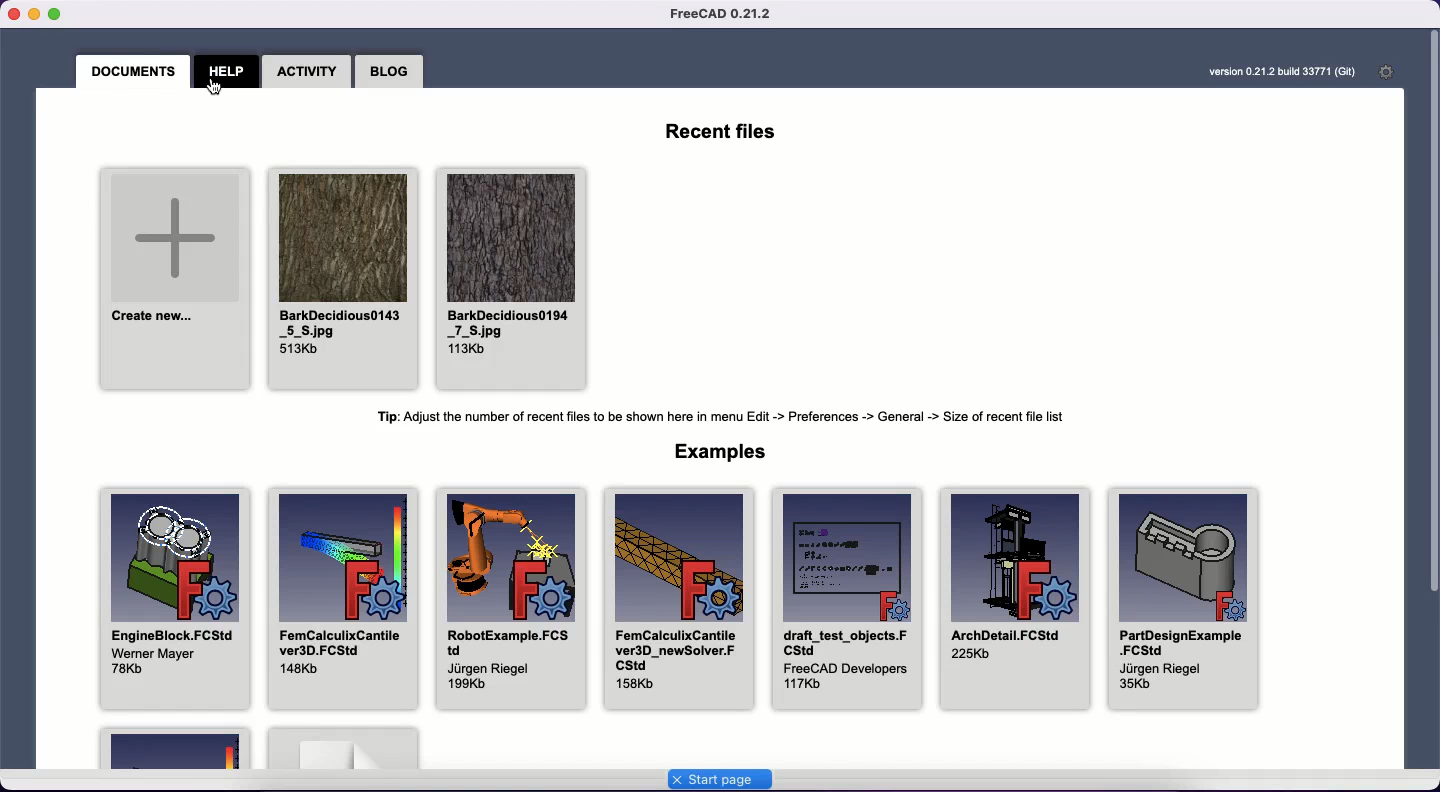  Describe the element at coordinates (344, 748) in the screenshot. I see `Example` at that location.